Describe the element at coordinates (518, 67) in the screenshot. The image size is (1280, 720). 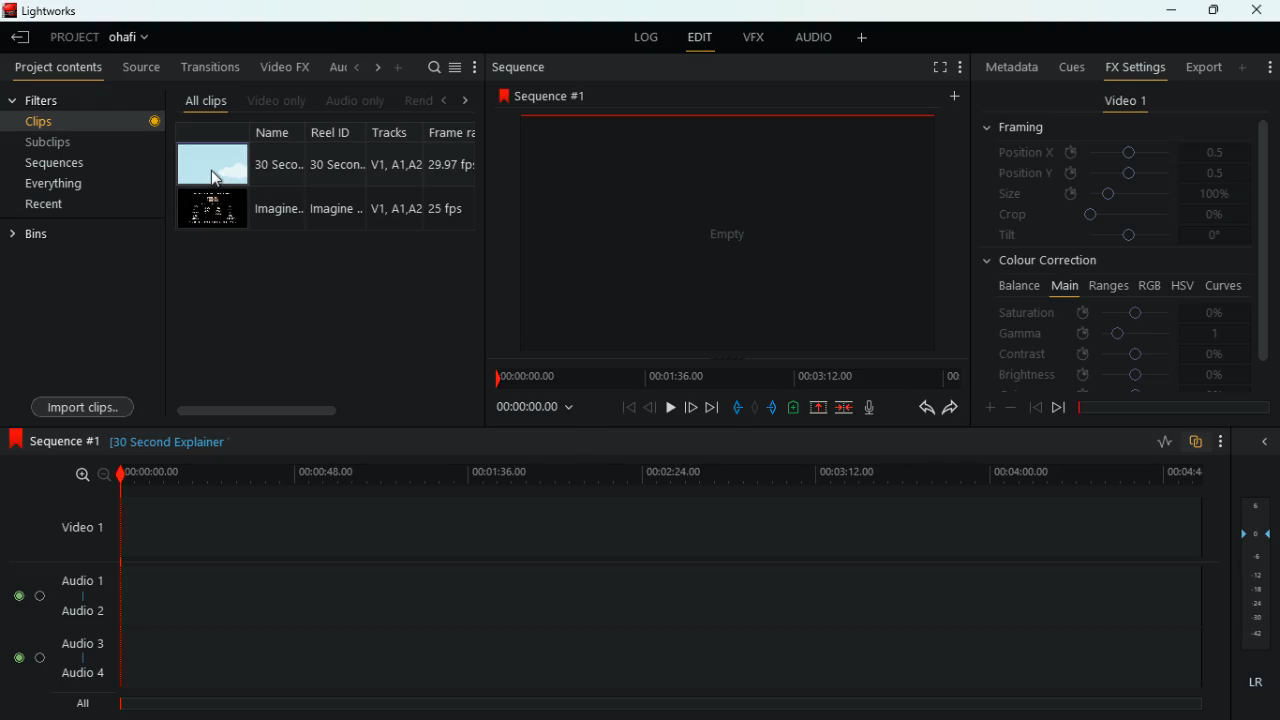
I see `sequence` at that location.